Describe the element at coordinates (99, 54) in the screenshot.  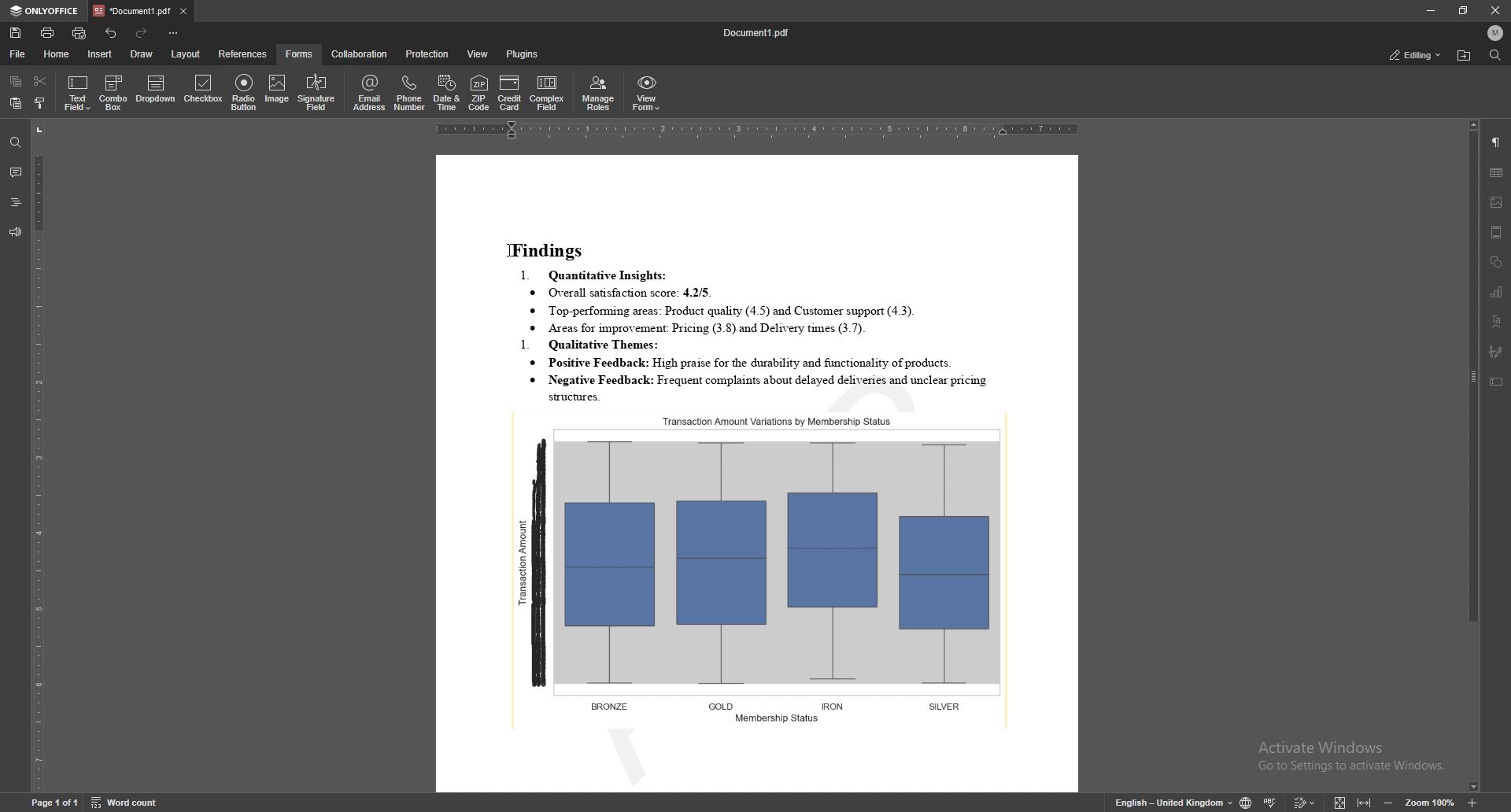
I see `insert` at that location.